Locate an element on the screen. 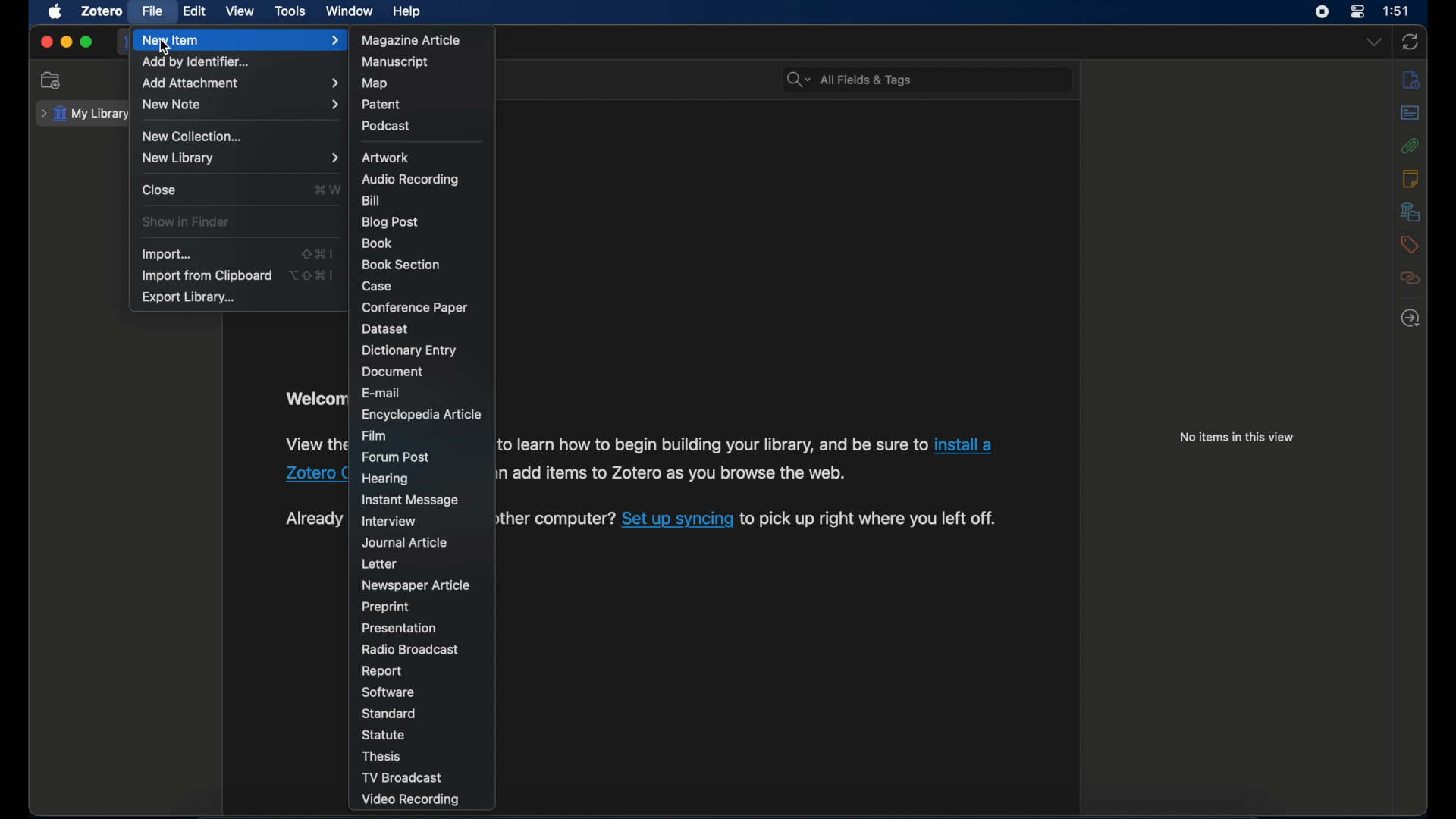  tv broadcast is located at coordinates (403, 778).